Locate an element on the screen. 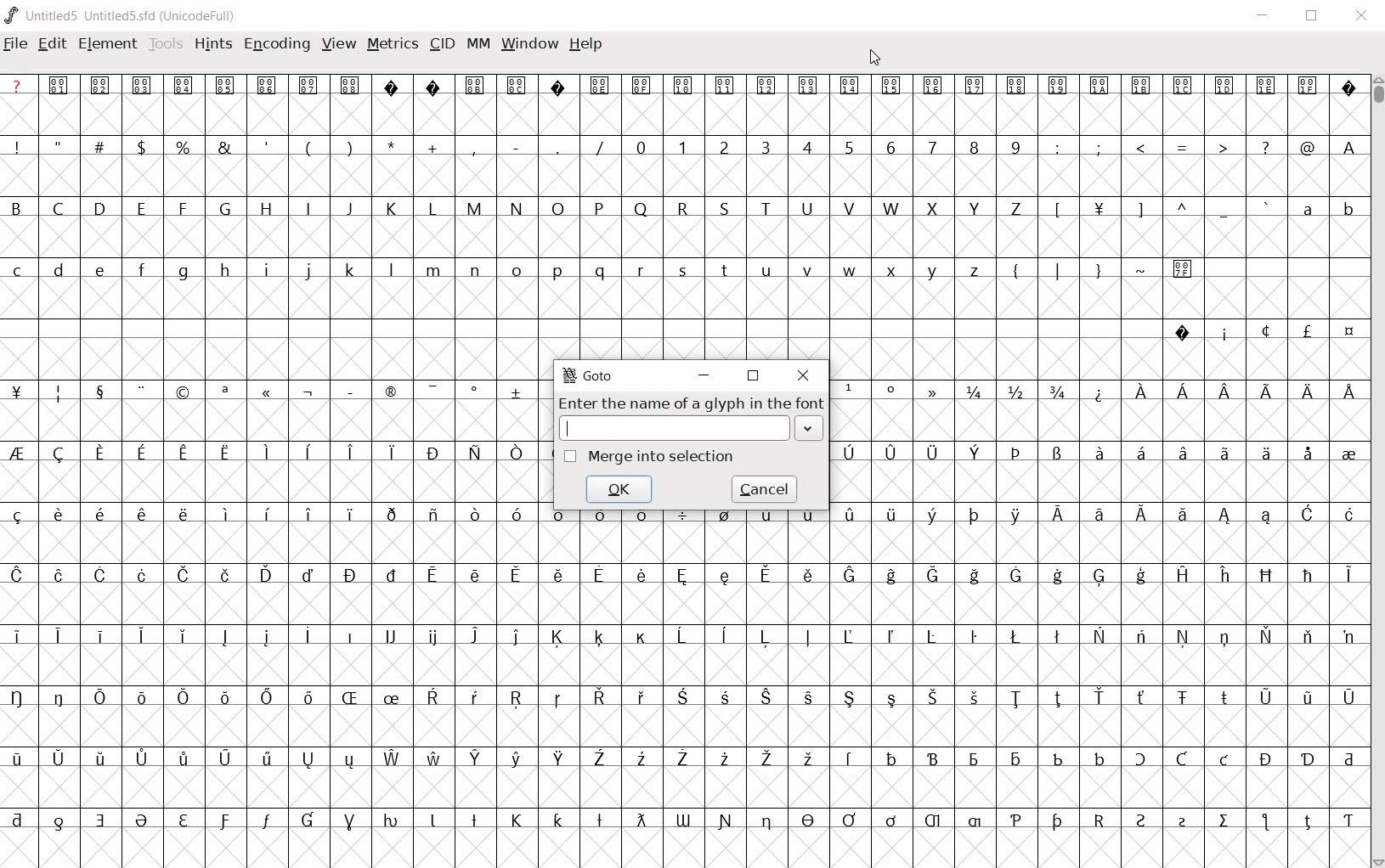 The height and width of the screenshot is (868, 1385). Symbol is located at coordinates (20, 576).